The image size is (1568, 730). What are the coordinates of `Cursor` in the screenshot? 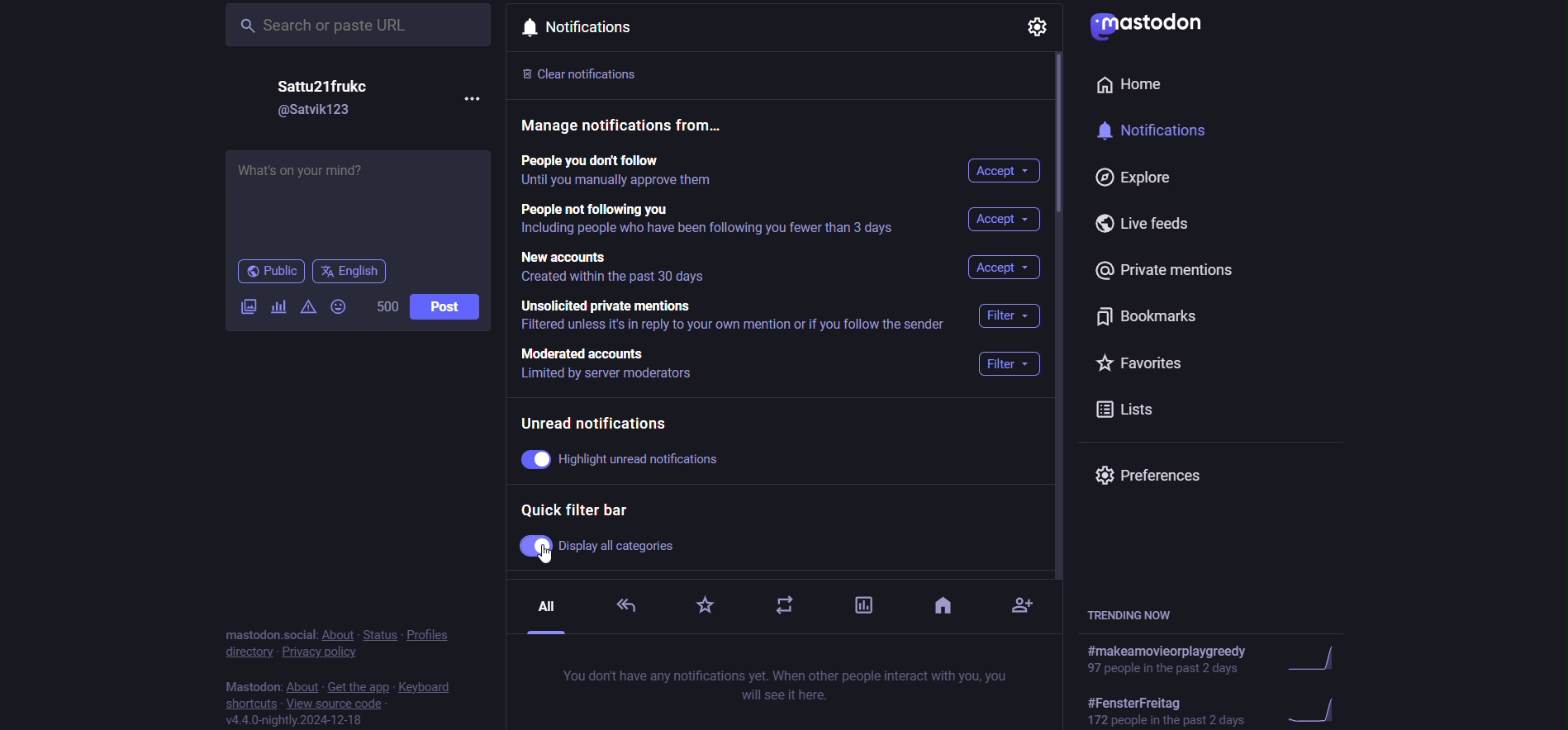 It's located at (548, 558).